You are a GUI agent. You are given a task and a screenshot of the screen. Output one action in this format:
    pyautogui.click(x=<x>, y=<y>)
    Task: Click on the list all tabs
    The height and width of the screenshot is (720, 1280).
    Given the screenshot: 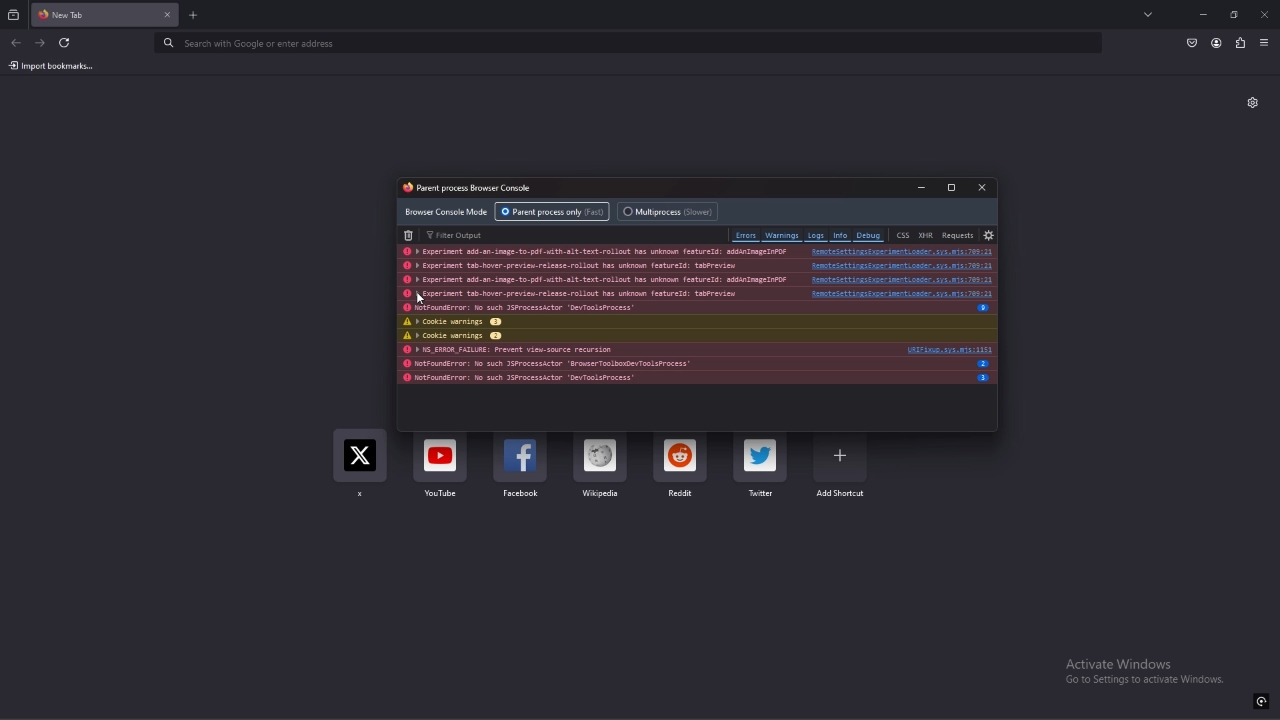 What is the action you would take?
    pyautogui.click(x=1150, y=16)
    